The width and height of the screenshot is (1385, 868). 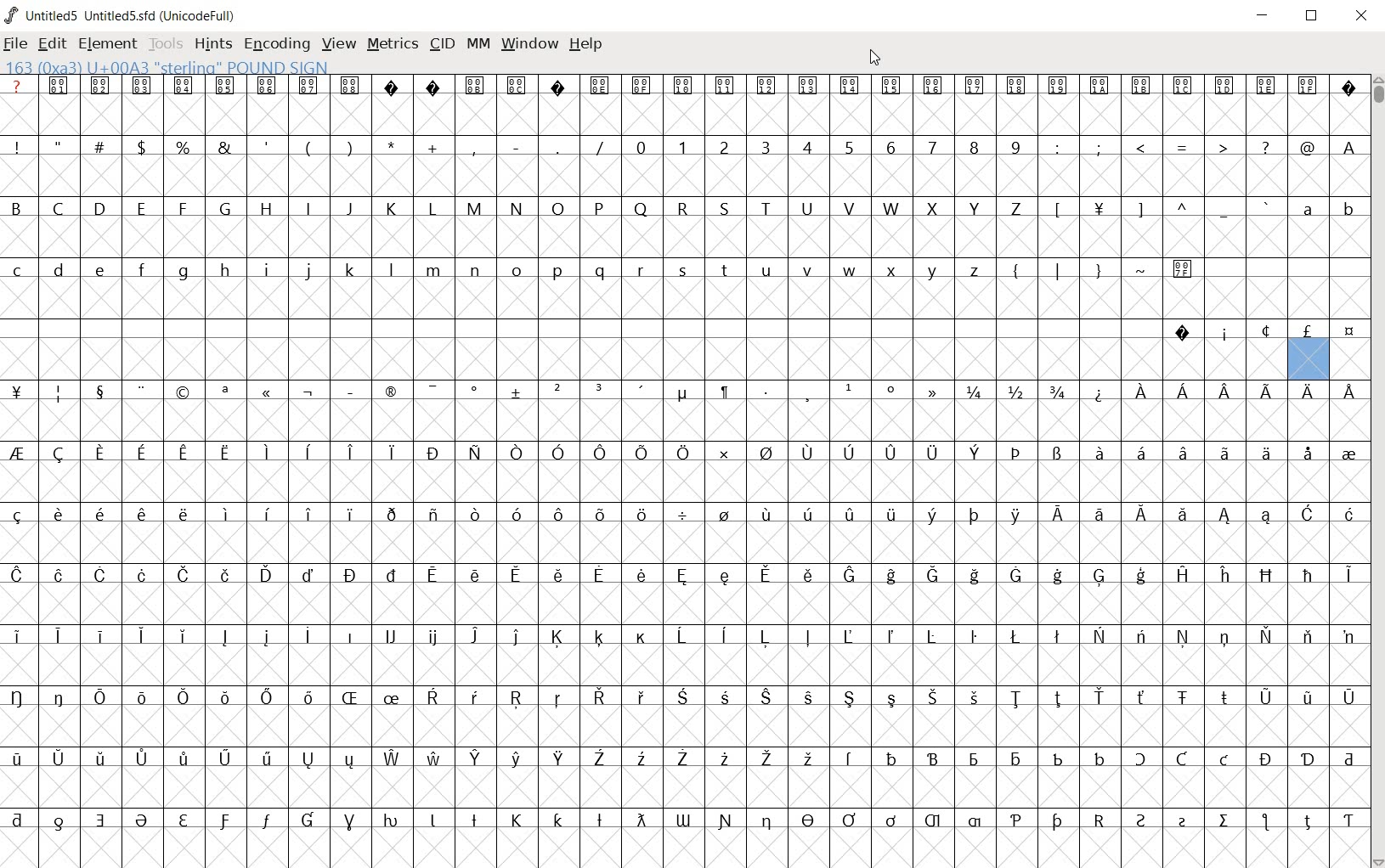 What do you see at coordinates (849, 820) in the screenshot?
I see `Symbol` at bounding box center [849, 820].